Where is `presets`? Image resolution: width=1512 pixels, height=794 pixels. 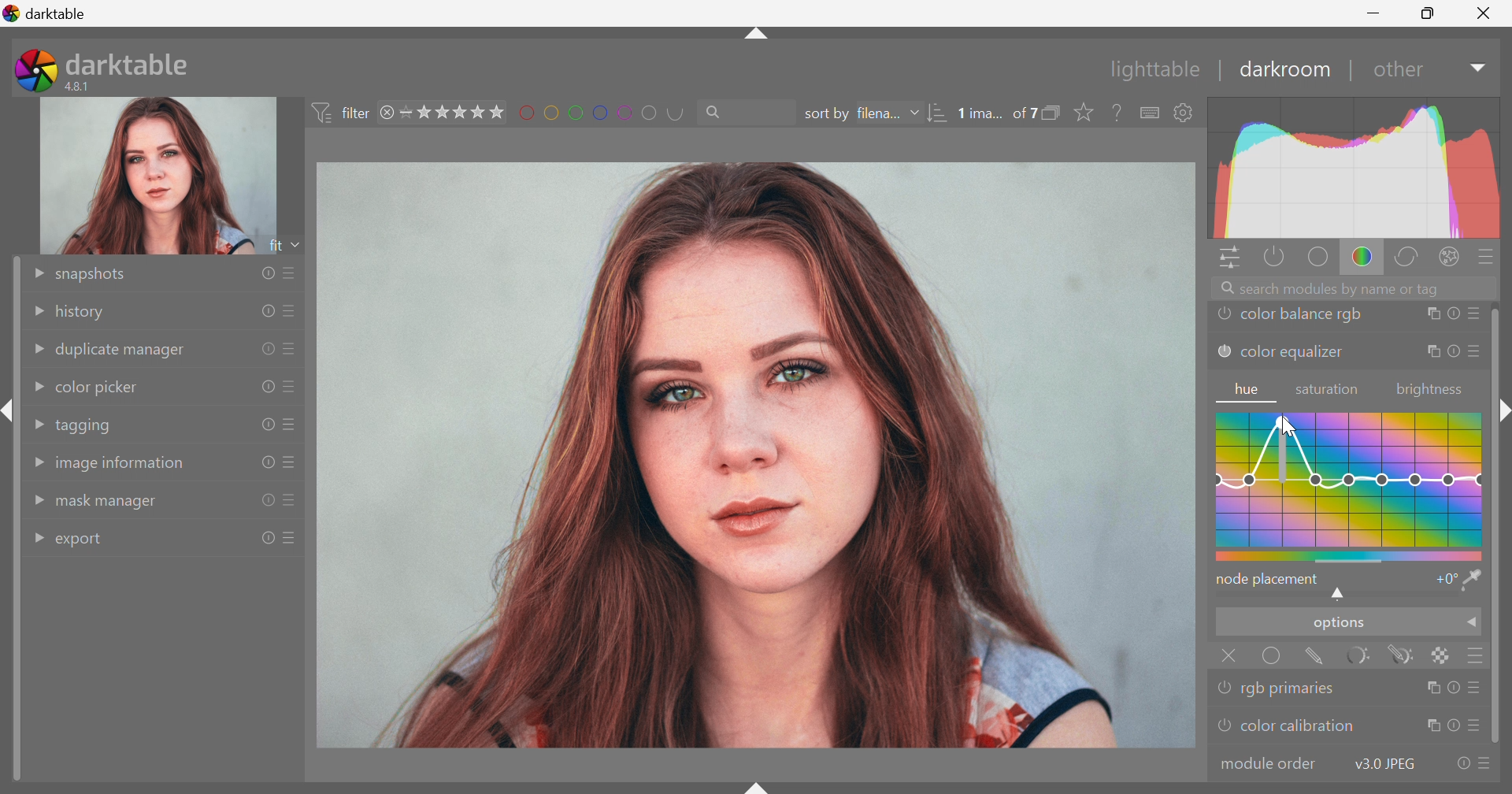
presets is located at coordinates (291, 501).